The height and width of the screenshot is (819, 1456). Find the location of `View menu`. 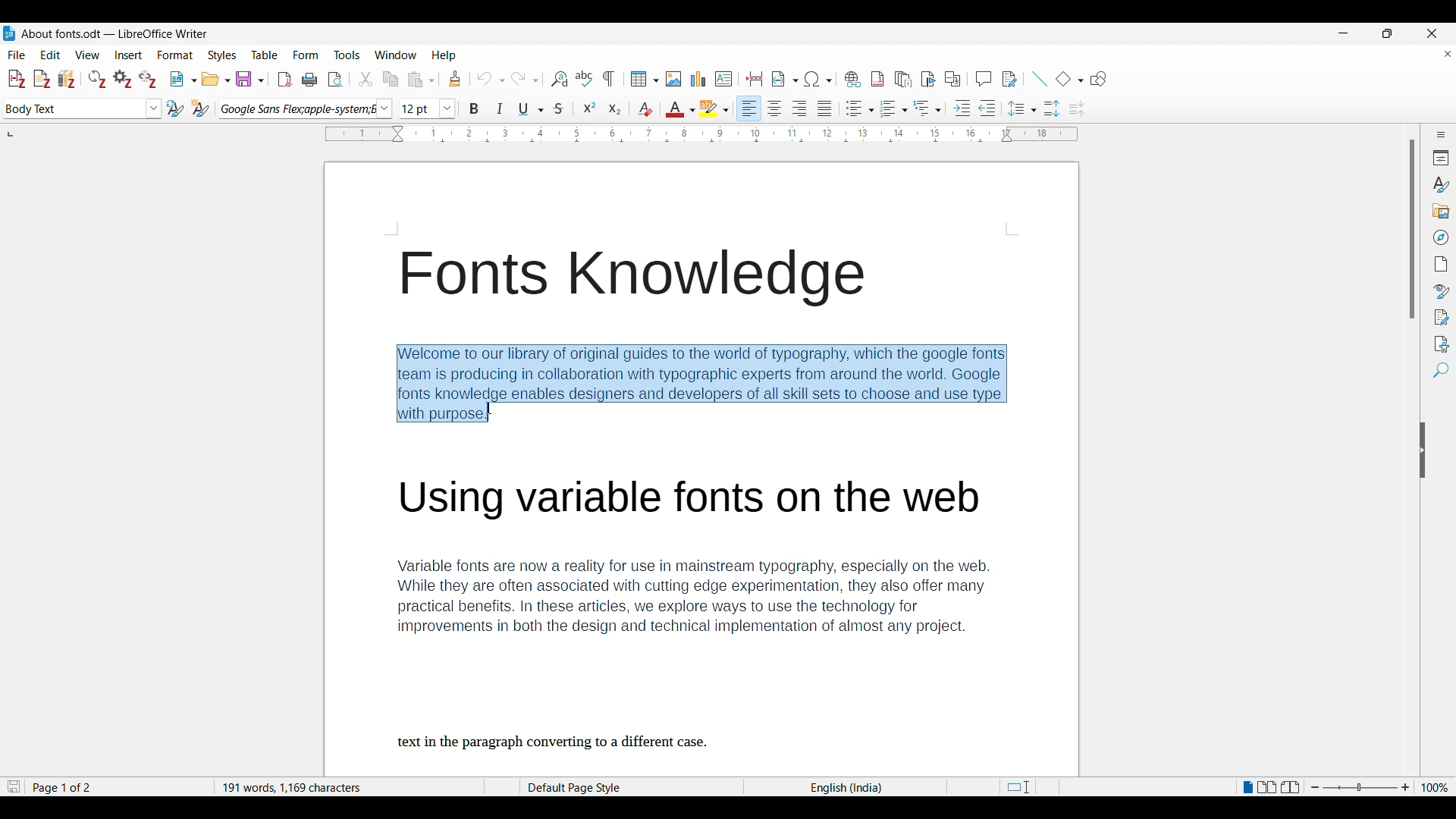

View menu is located at coordinates (88, 55).